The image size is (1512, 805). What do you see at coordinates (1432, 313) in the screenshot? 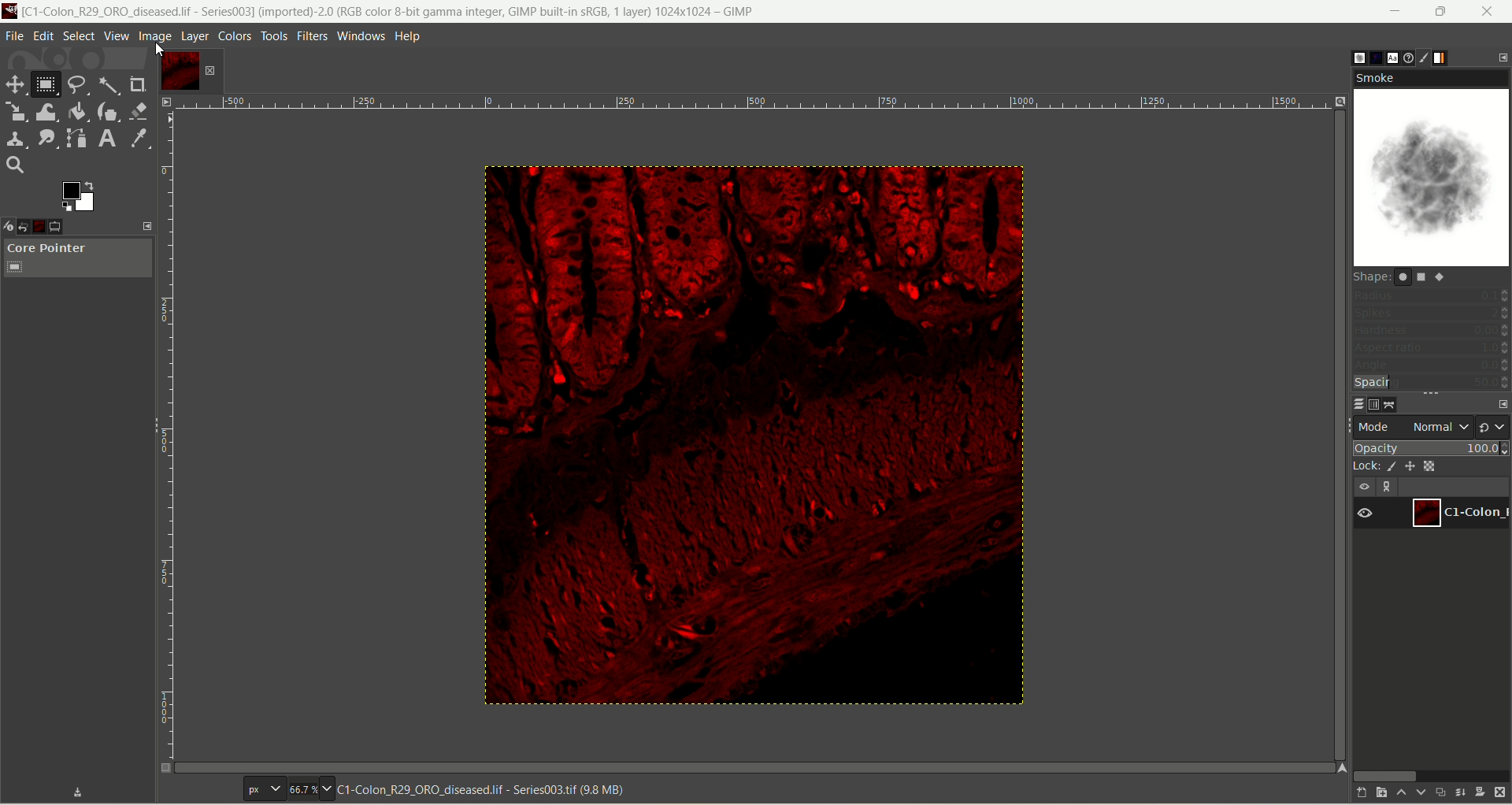
I see `spikes` at bounding box center [1432, 313].